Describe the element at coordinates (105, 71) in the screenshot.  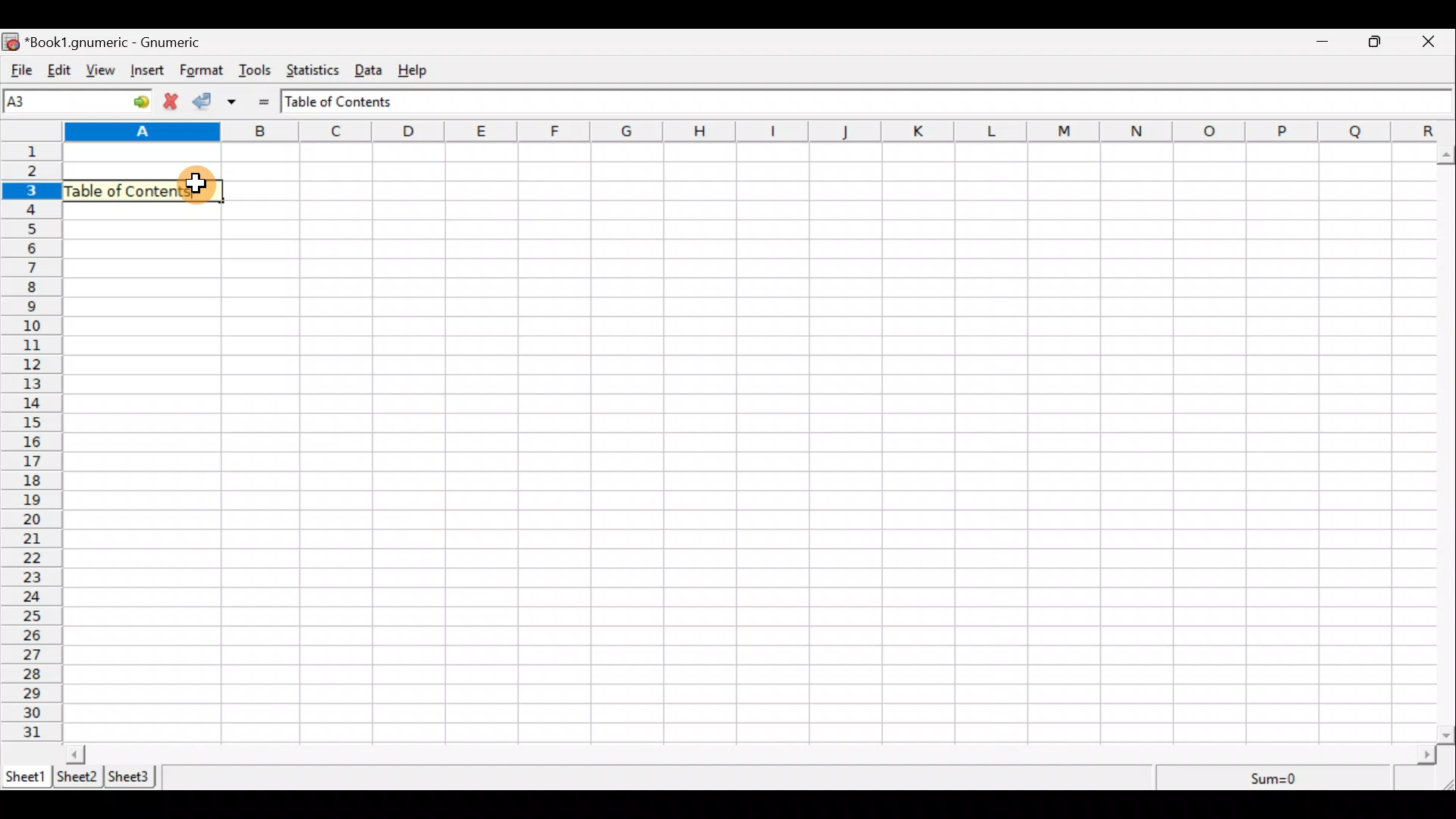
I see `View` at that location.